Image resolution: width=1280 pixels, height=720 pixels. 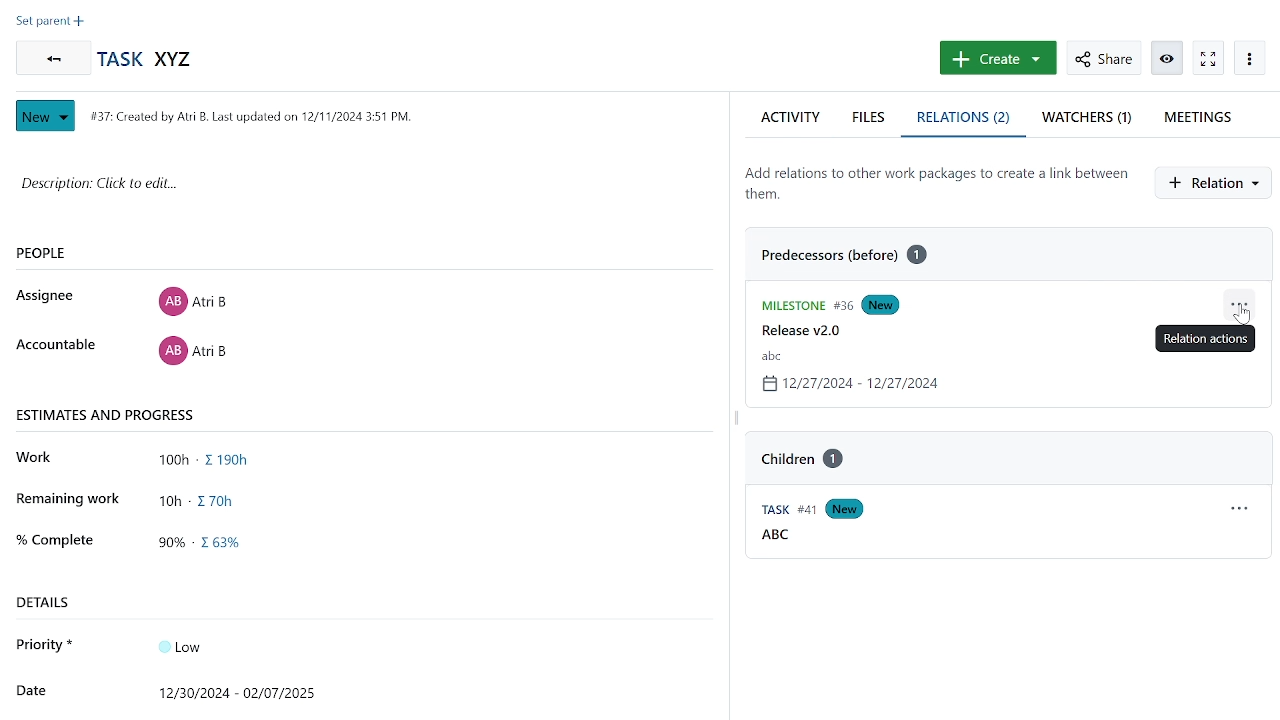 What do you see at coordinates (779, 510) in the screenshot?
I see `Task #41` at bounding box center [779, 510].